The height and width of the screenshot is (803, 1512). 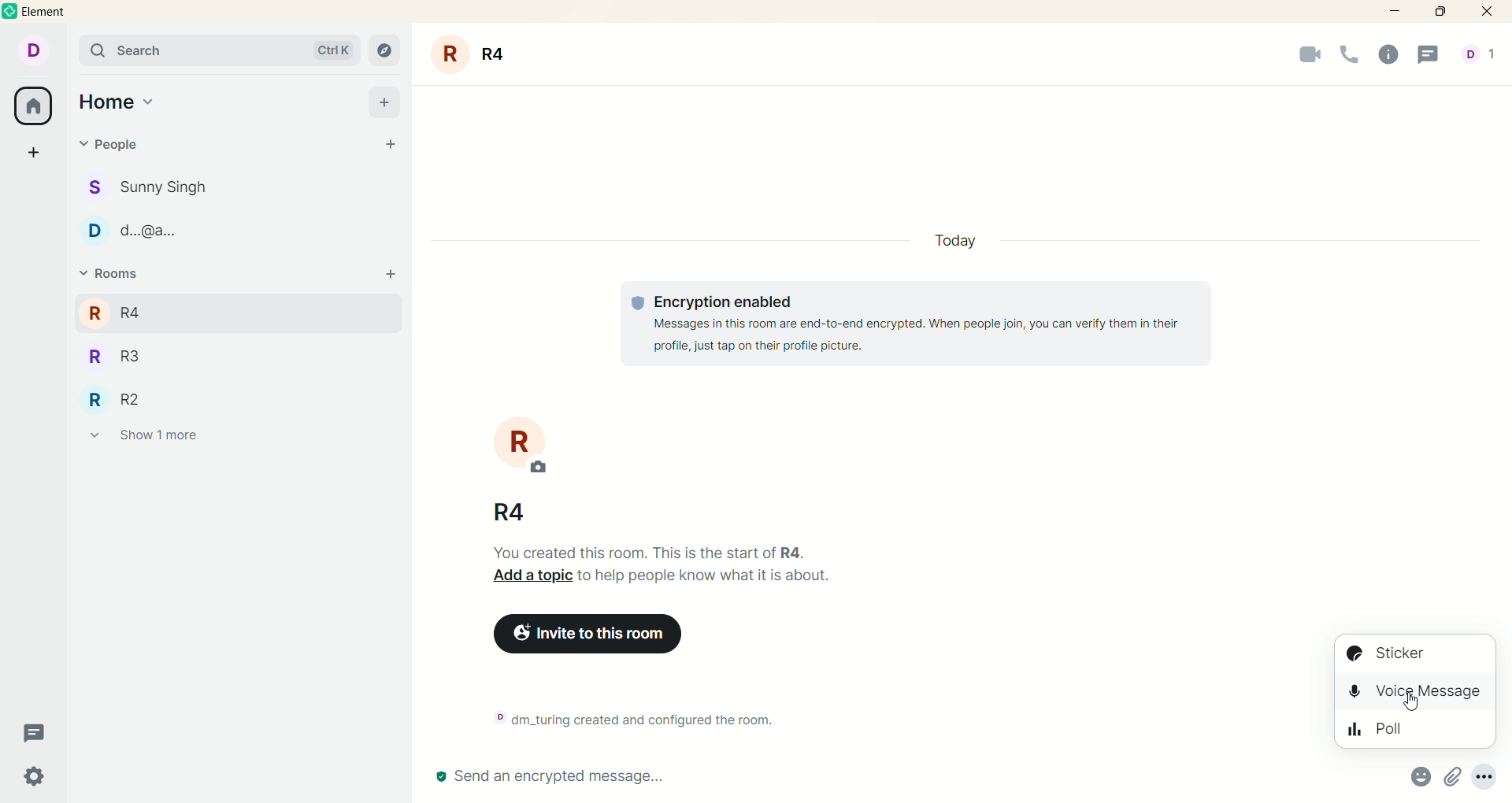 I want to click on close, so click(x=1490, y=12).